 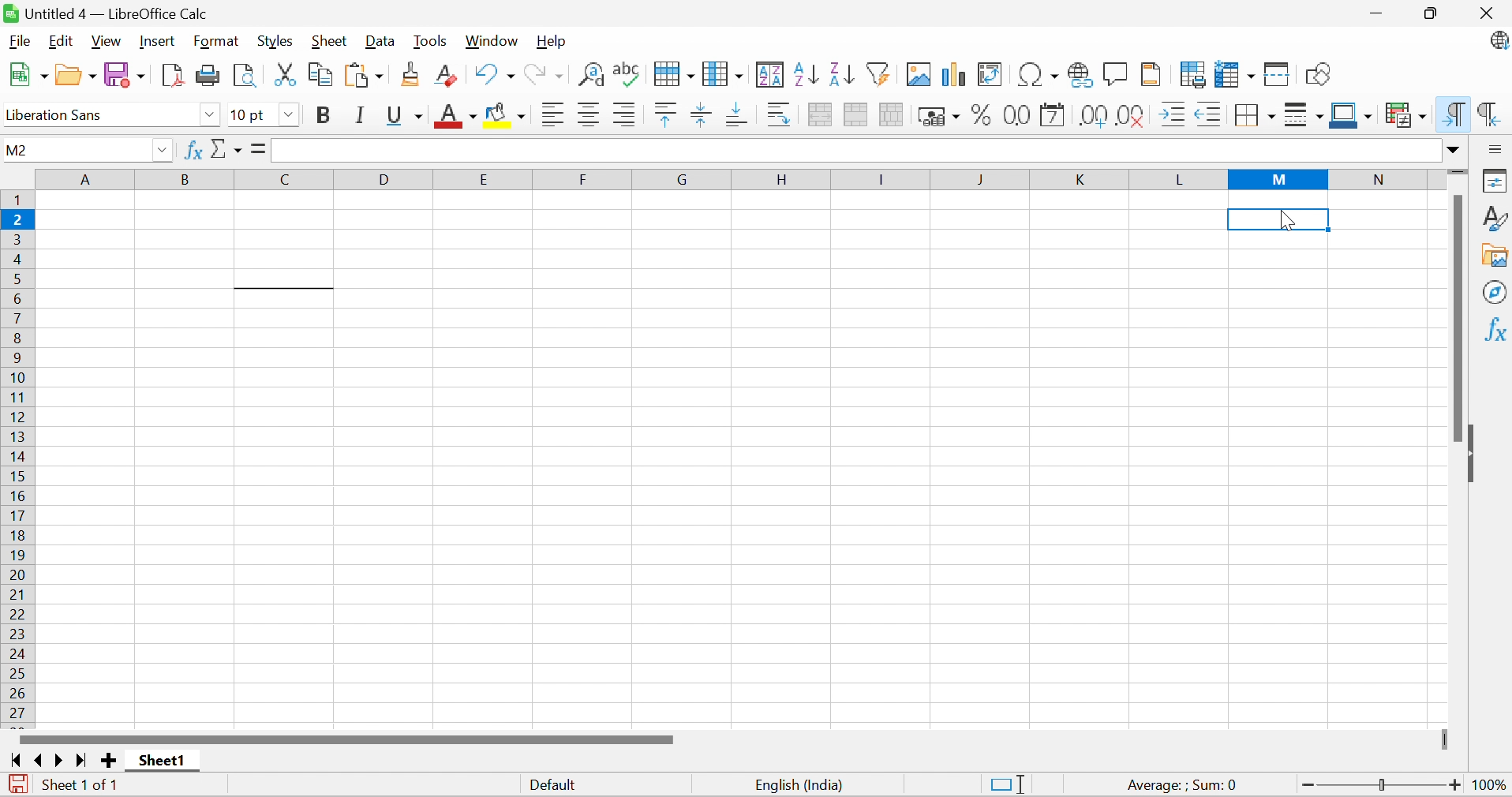 I want to click on Merge and center or unmerge cells depending on the current toggle state, so click(x=821, y=114).